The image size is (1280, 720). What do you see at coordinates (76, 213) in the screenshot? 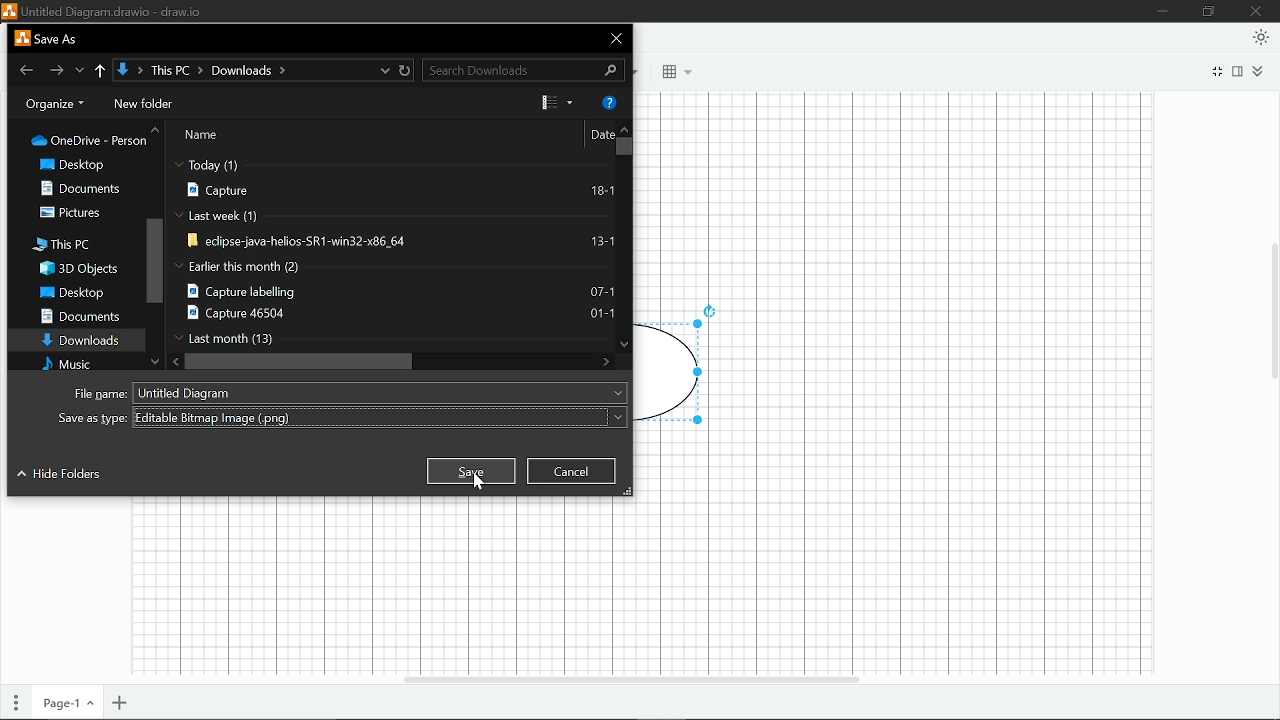
I see `Pictures` at bounding box center [76, 213].